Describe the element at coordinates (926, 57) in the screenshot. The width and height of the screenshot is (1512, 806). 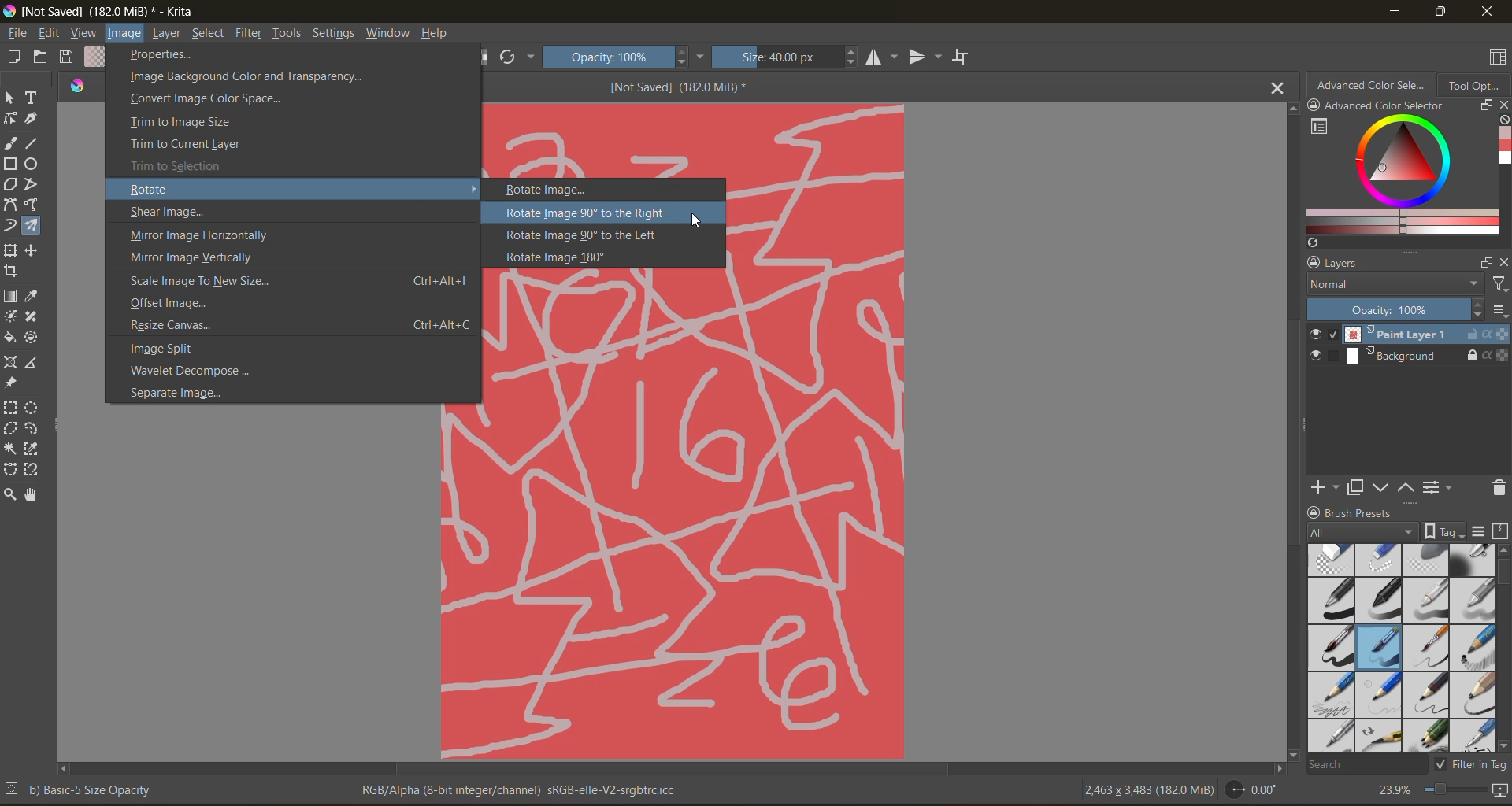
I see `flip vertically` at that location.